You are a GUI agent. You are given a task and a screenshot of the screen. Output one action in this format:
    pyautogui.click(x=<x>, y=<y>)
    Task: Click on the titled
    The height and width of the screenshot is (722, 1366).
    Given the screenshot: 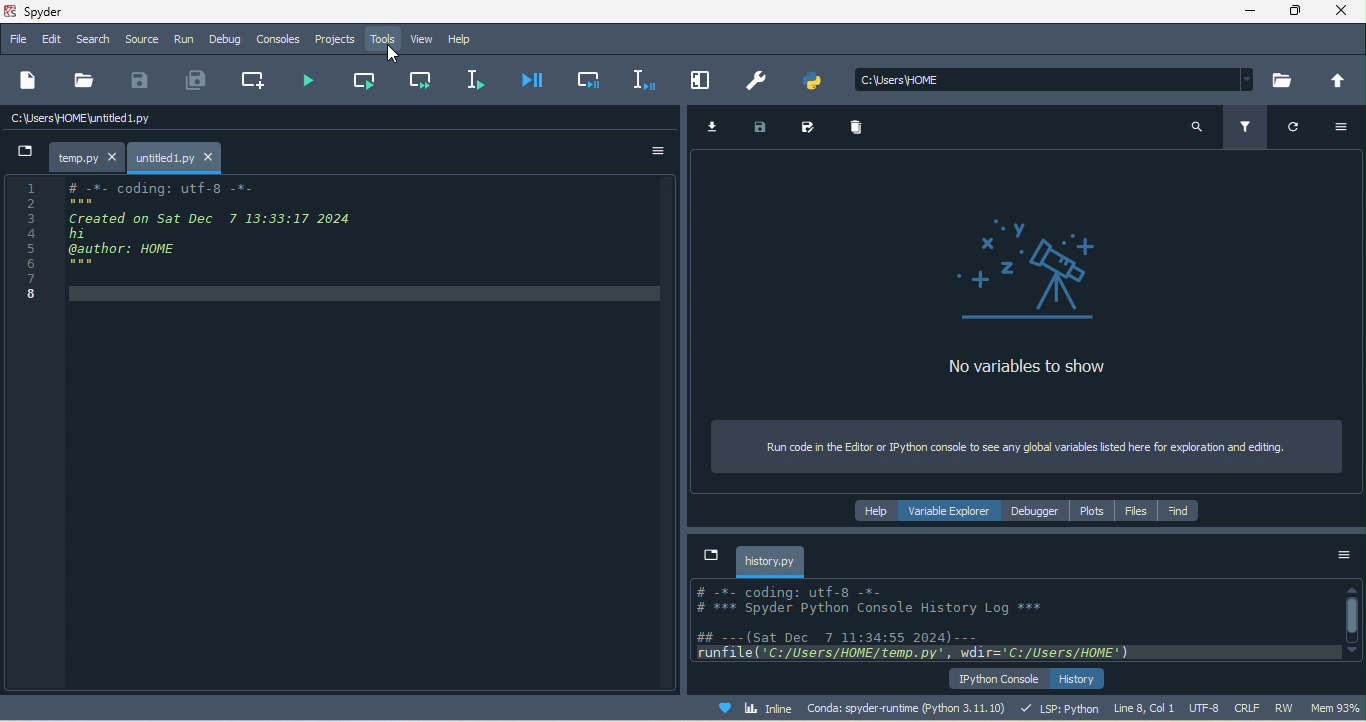 What is the action you would take?
    pyautogui.click(x=64, y=13)
    